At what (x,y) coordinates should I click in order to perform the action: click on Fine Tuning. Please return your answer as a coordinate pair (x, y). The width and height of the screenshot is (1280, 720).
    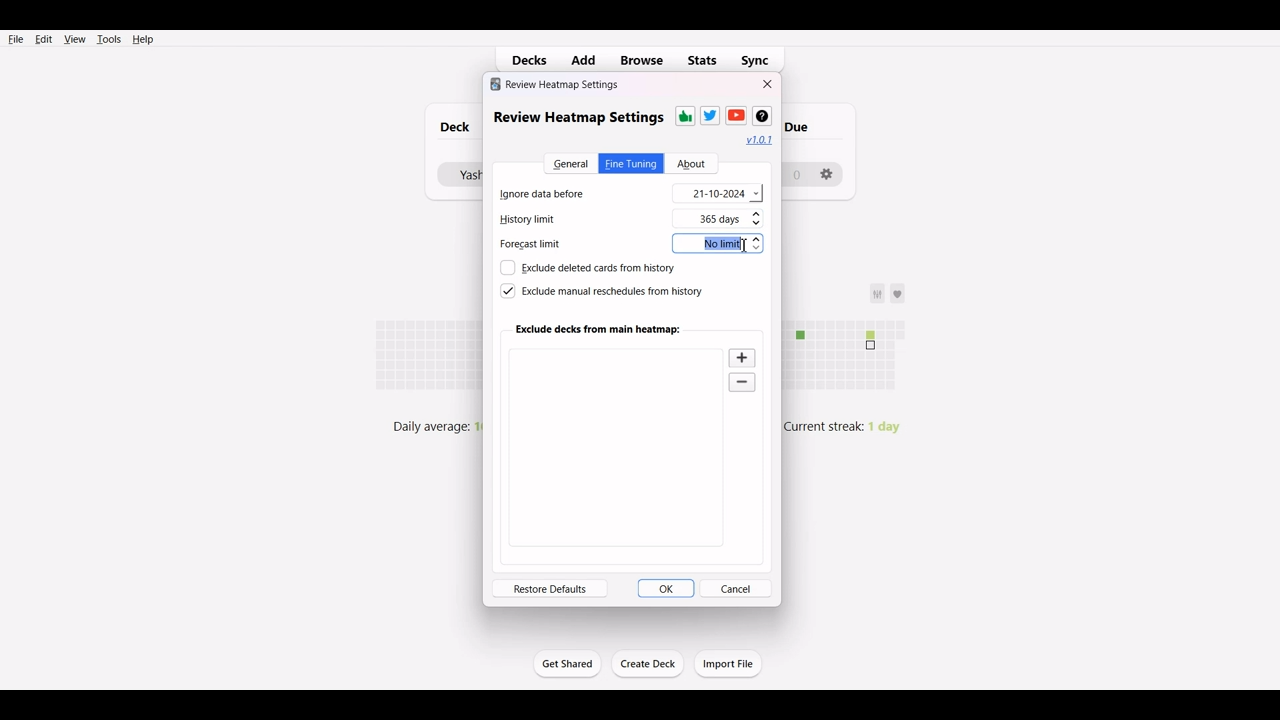
    Looking at the image, I should click on (631, 163).